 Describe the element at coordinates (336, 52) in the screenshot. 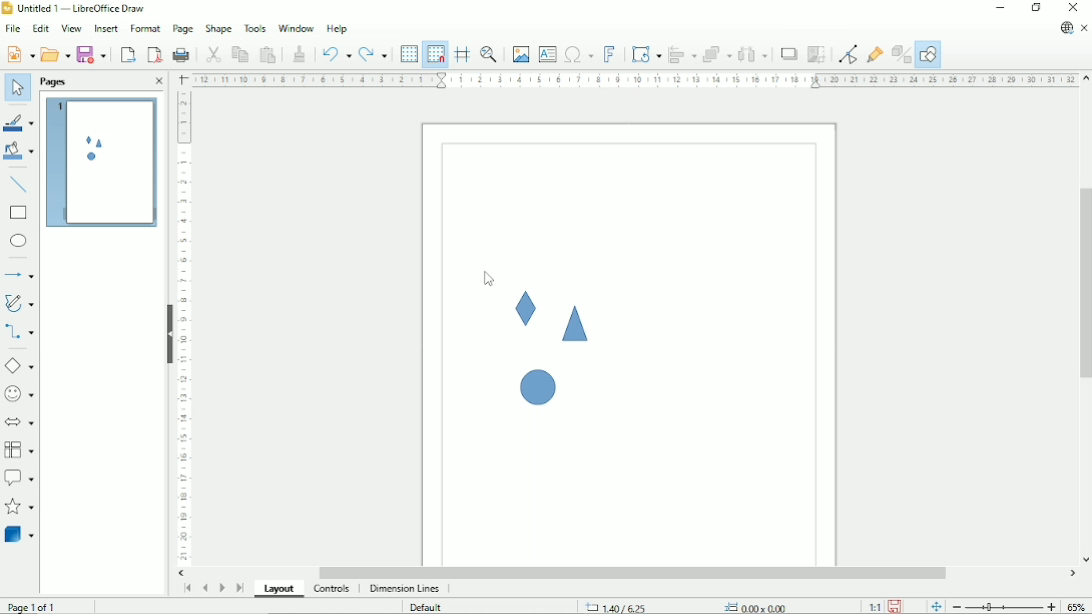

I see `Undo` at that location.